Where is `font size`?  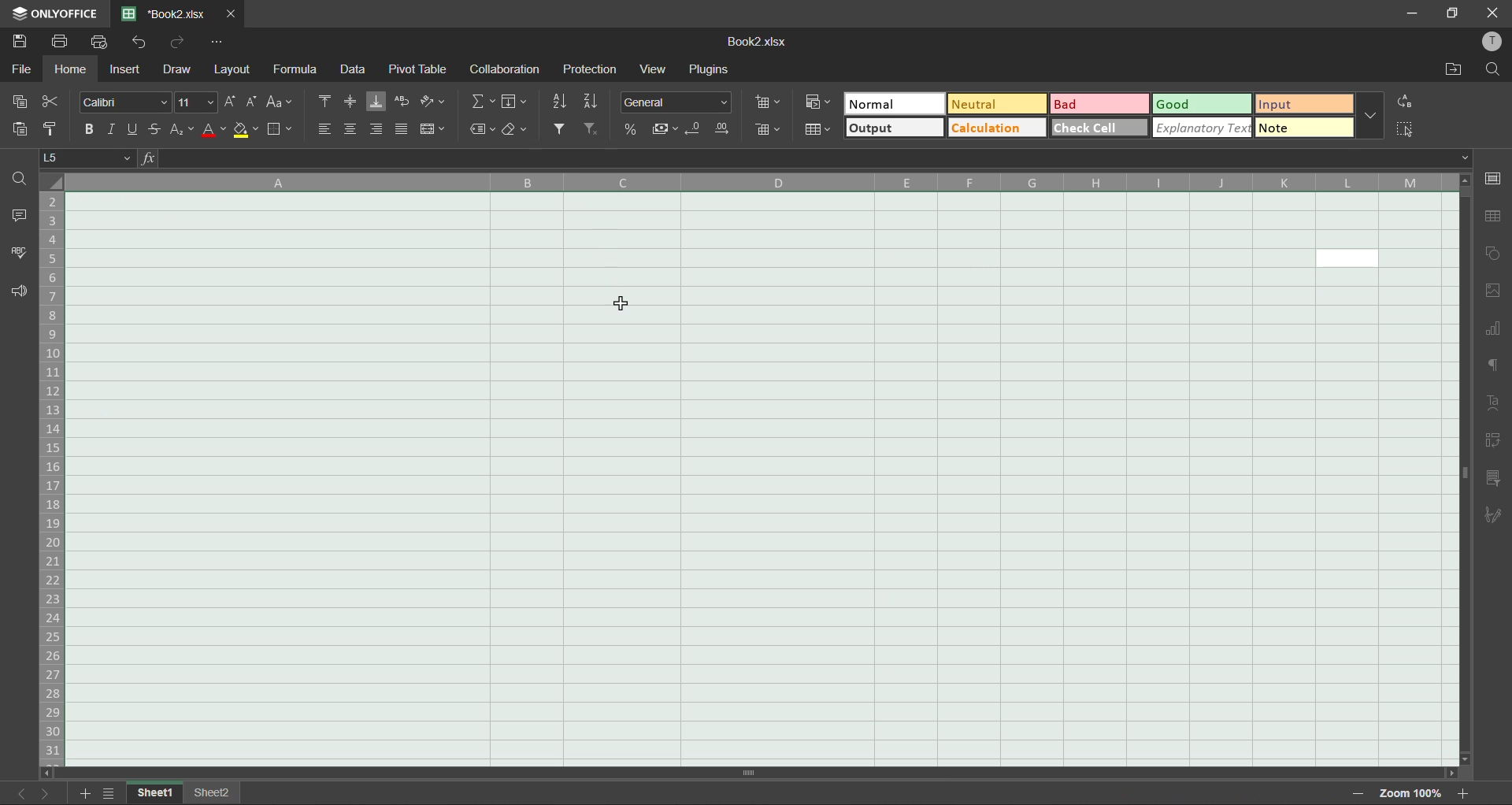 font size is located at coordinates (192, 103).